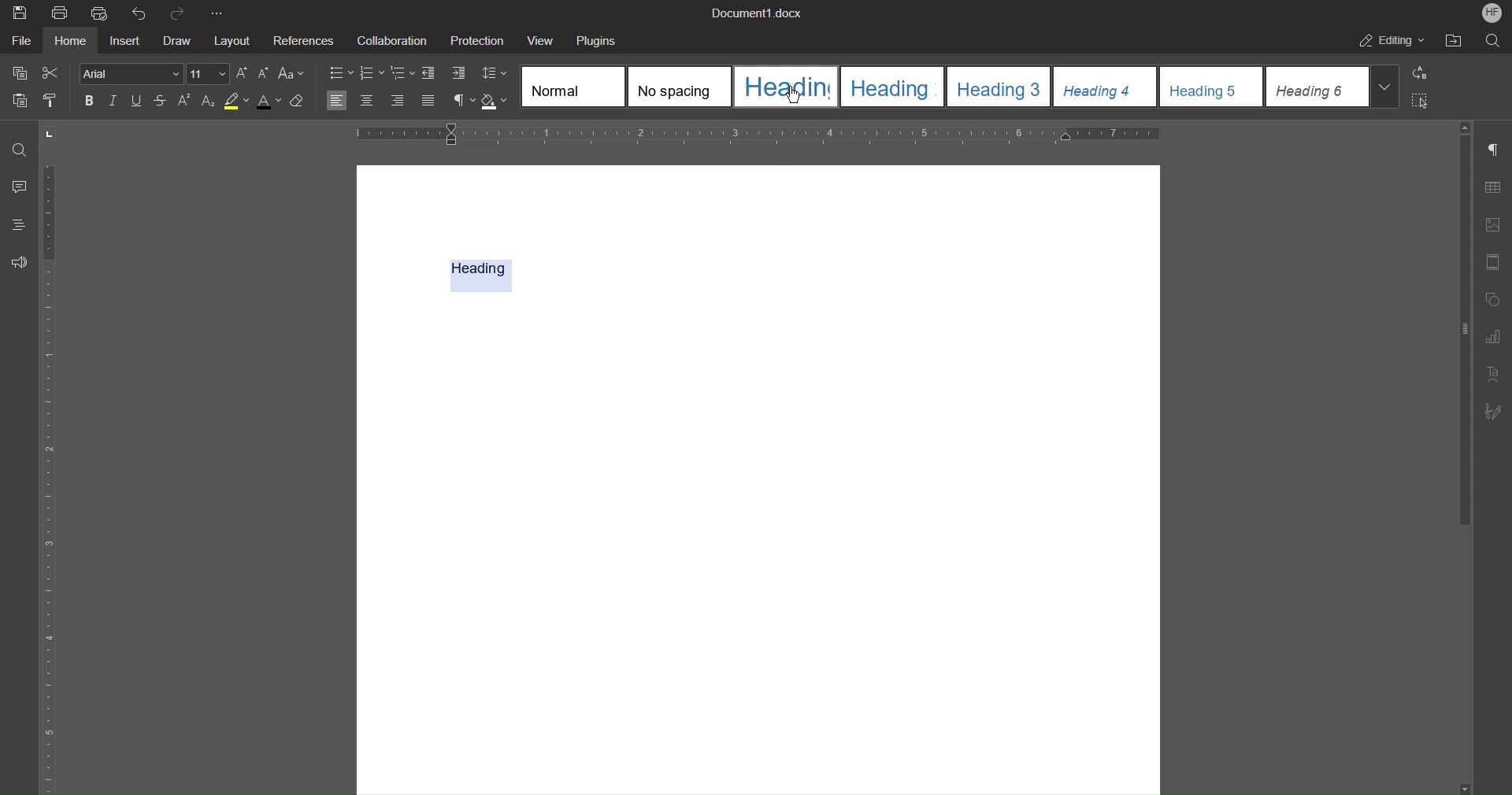  Describe the element at coordinates (20, 42) in the screenshot. I see `File` at that location.